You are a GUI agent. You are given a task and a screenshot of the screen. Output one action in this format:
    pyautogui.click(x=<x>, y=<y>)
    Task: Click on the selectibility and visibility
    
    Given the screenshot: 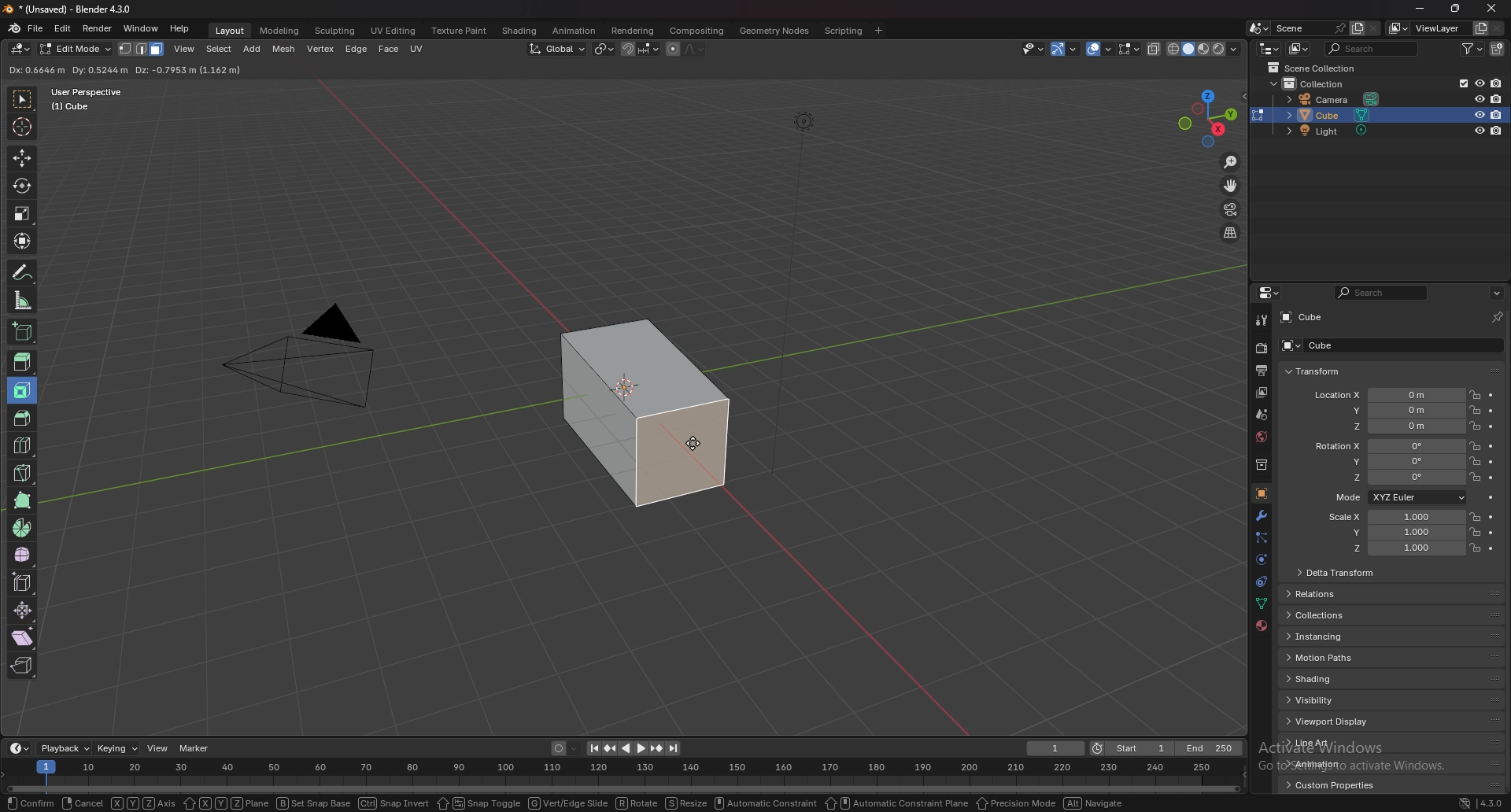 What is the action you would take?
    pyautogui.click(x=1033, y=49)
    